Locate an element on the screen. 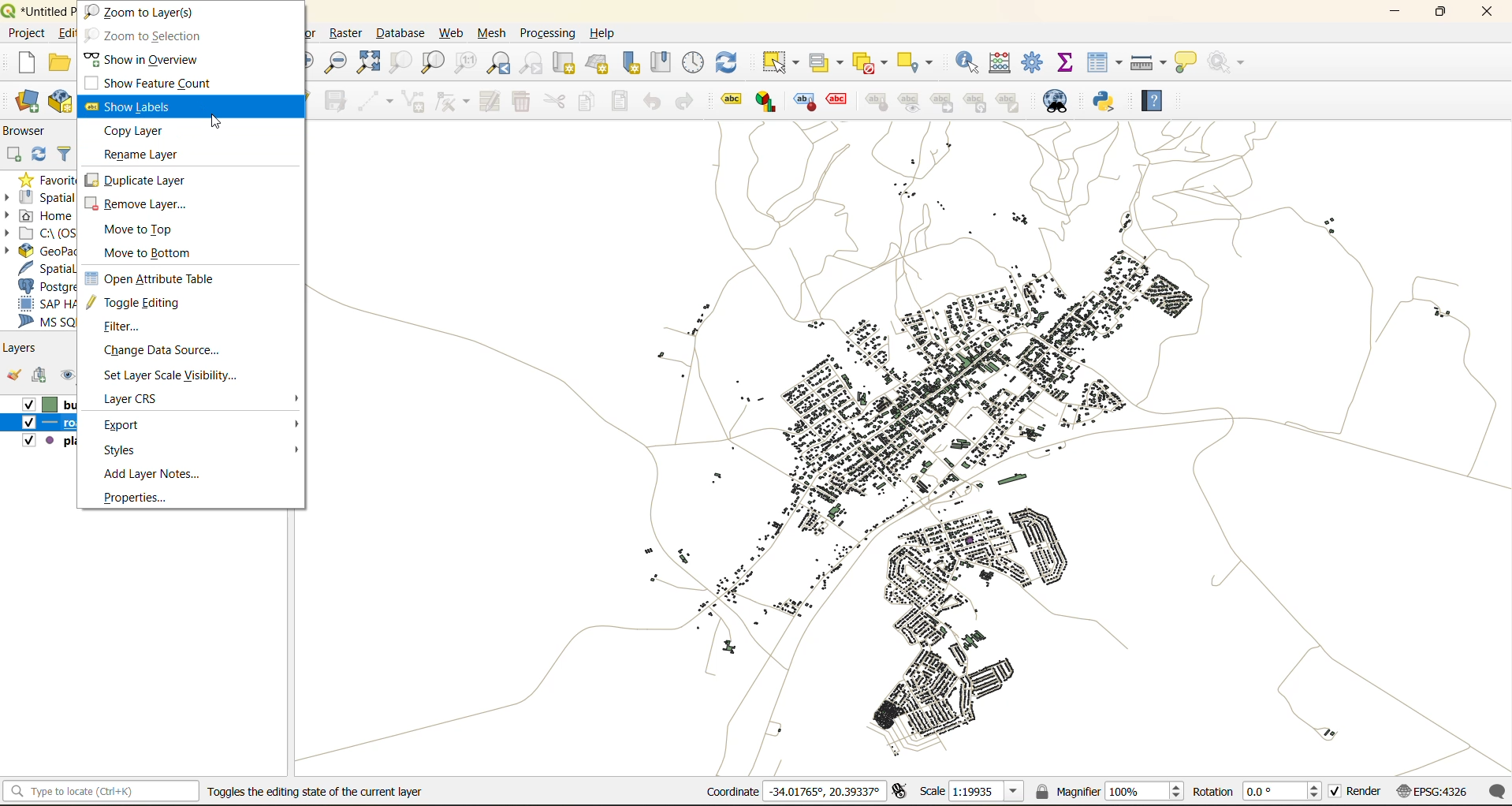  layer diagram options is located at coordinates (769, 102).